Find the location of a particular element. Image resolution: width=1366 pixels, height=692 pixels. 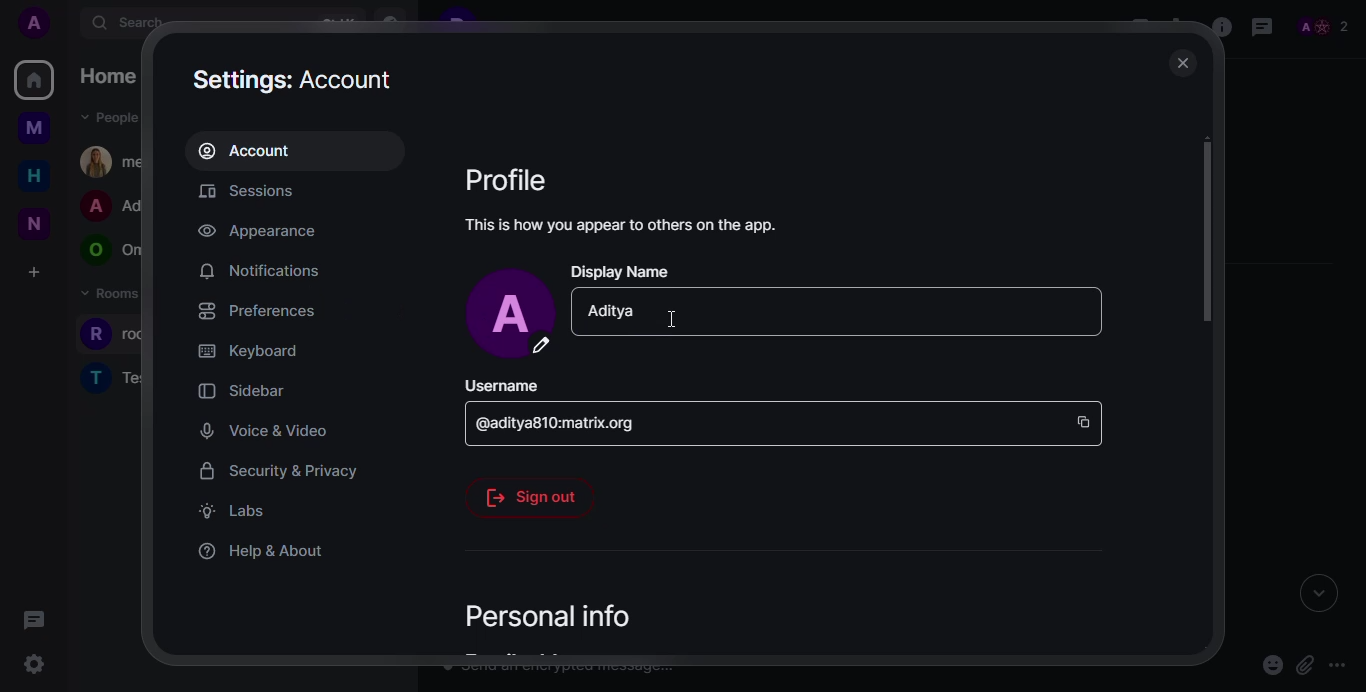

account is located at coordinates (254, 150).